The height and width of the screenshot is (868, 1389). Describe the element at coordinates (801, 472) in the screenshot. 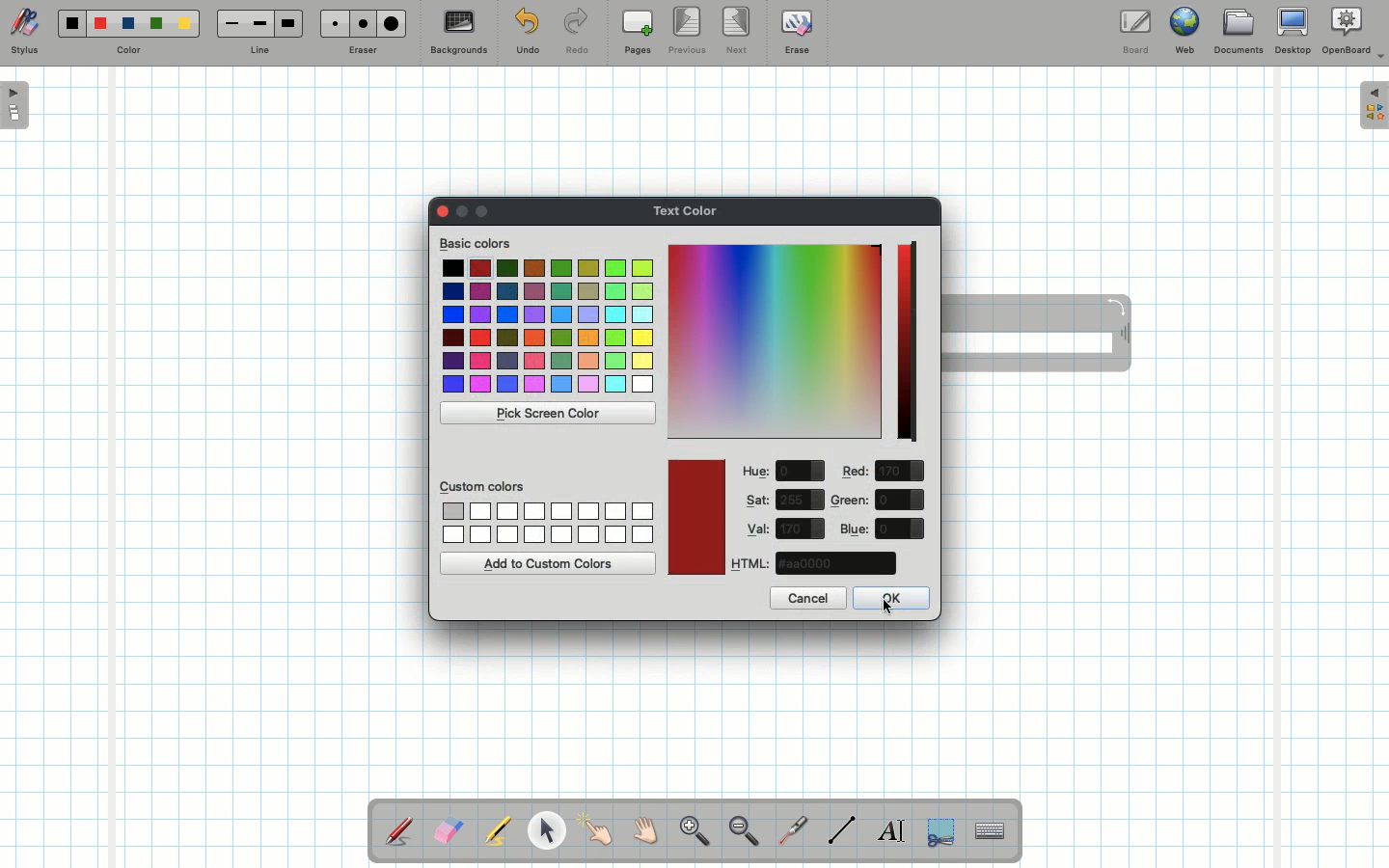

I see `value` at that location.